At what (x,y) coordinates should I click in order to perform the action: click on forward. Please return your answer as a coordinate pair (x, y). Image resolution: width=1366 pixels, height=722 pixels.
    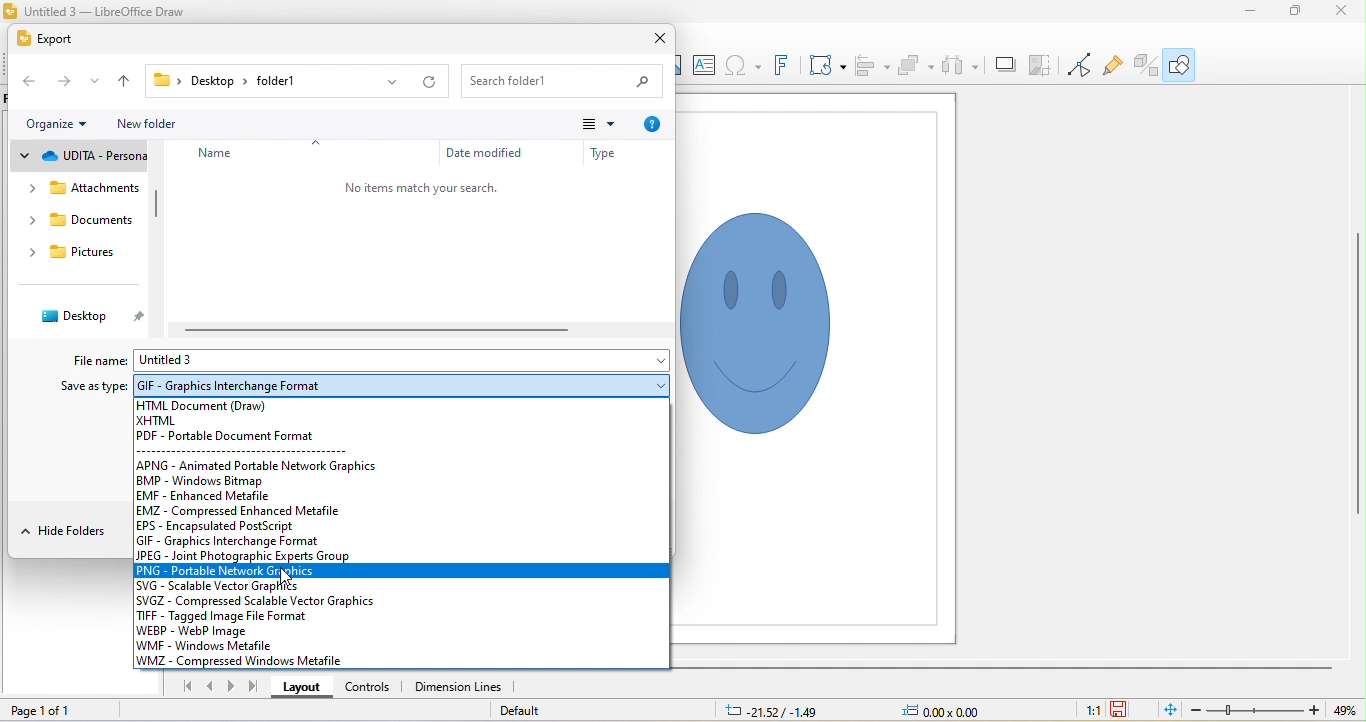
    Looking at the image, I should click on (61, 81).